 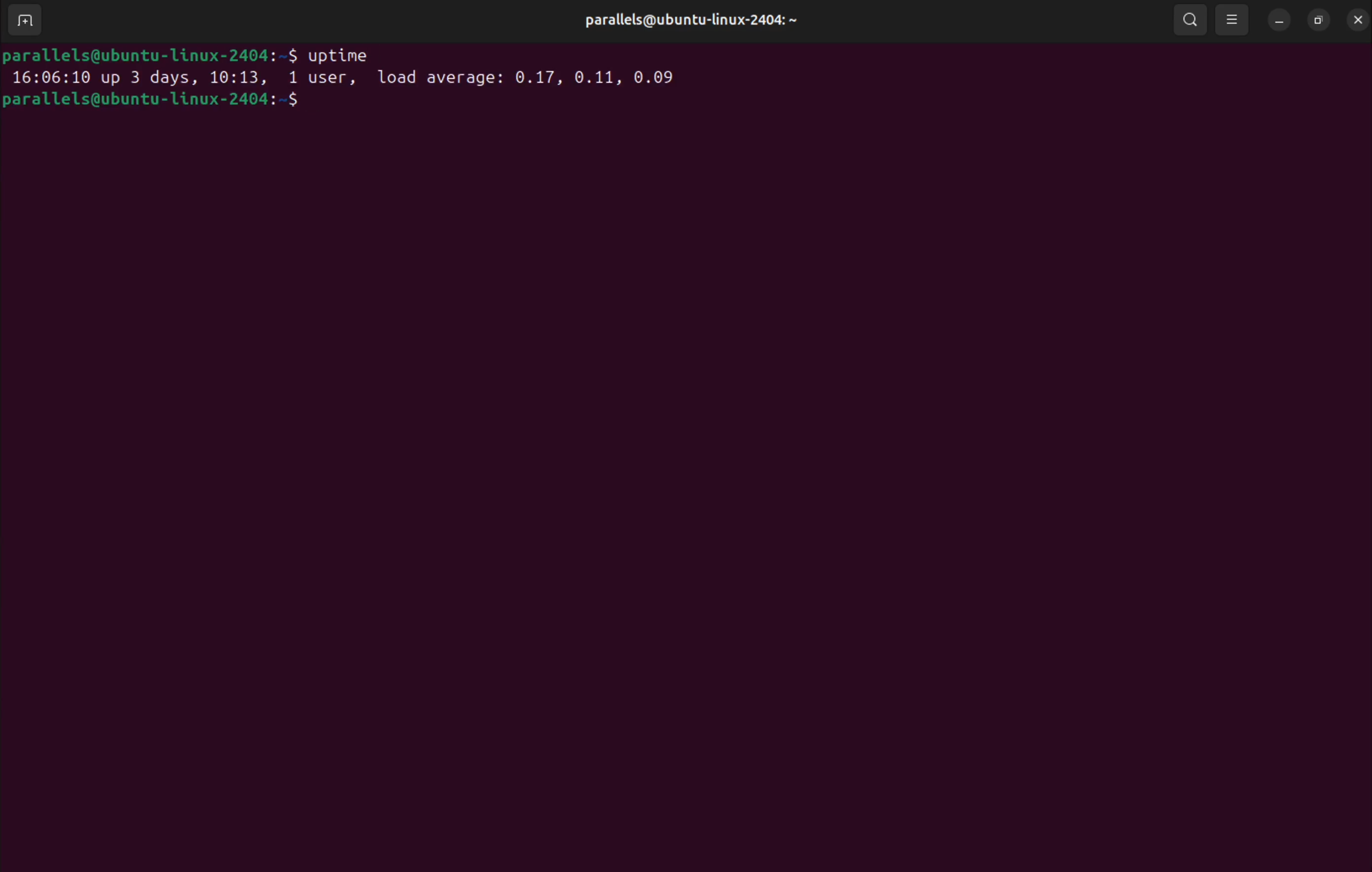 What do you see at coordinates (1356, 21) in the screenshot?
I see `close` at bounding box center [1356, 21].